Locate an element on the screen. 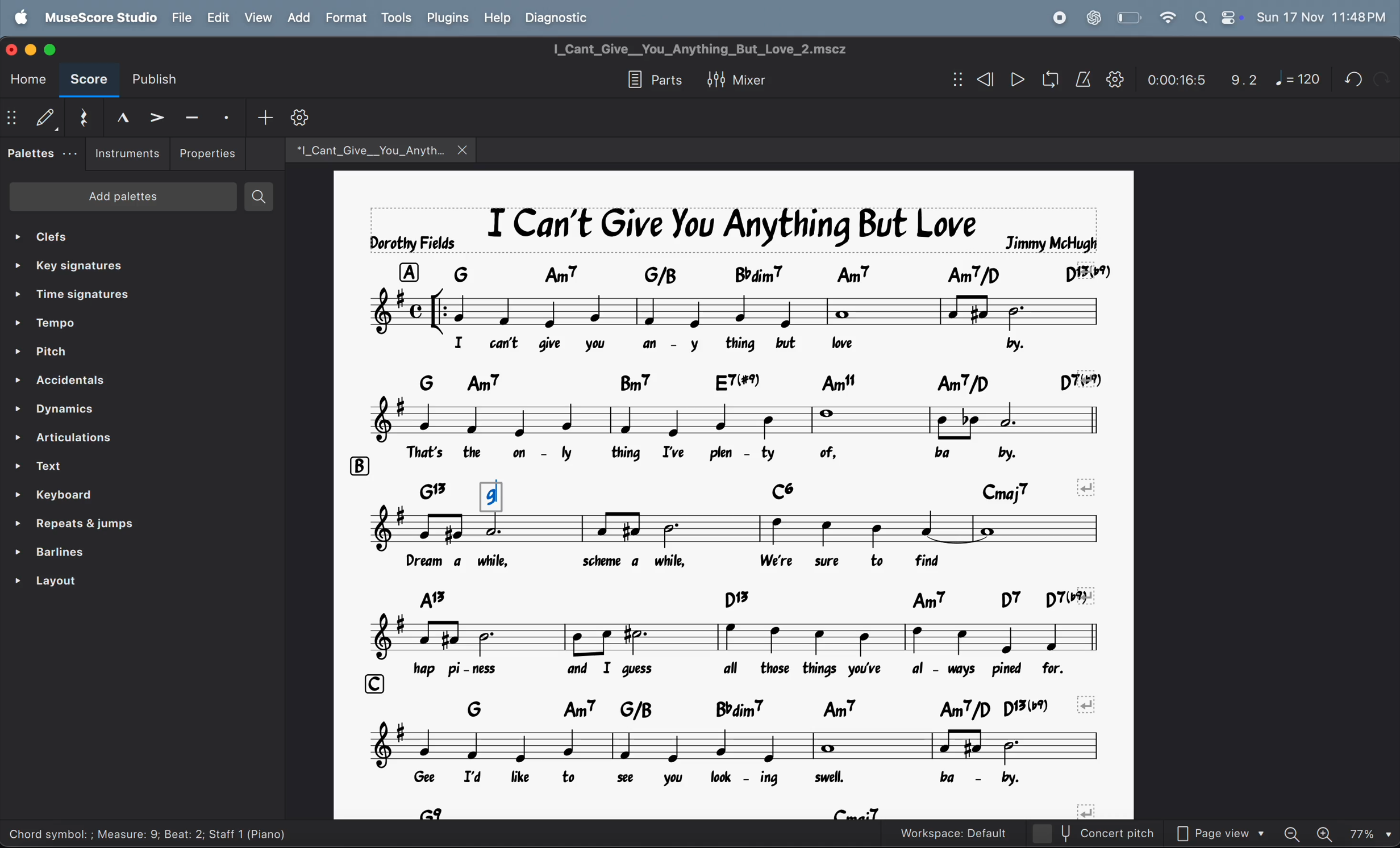 This screenshot has width=1400, height=848. add is located at coordinates (267, 117).